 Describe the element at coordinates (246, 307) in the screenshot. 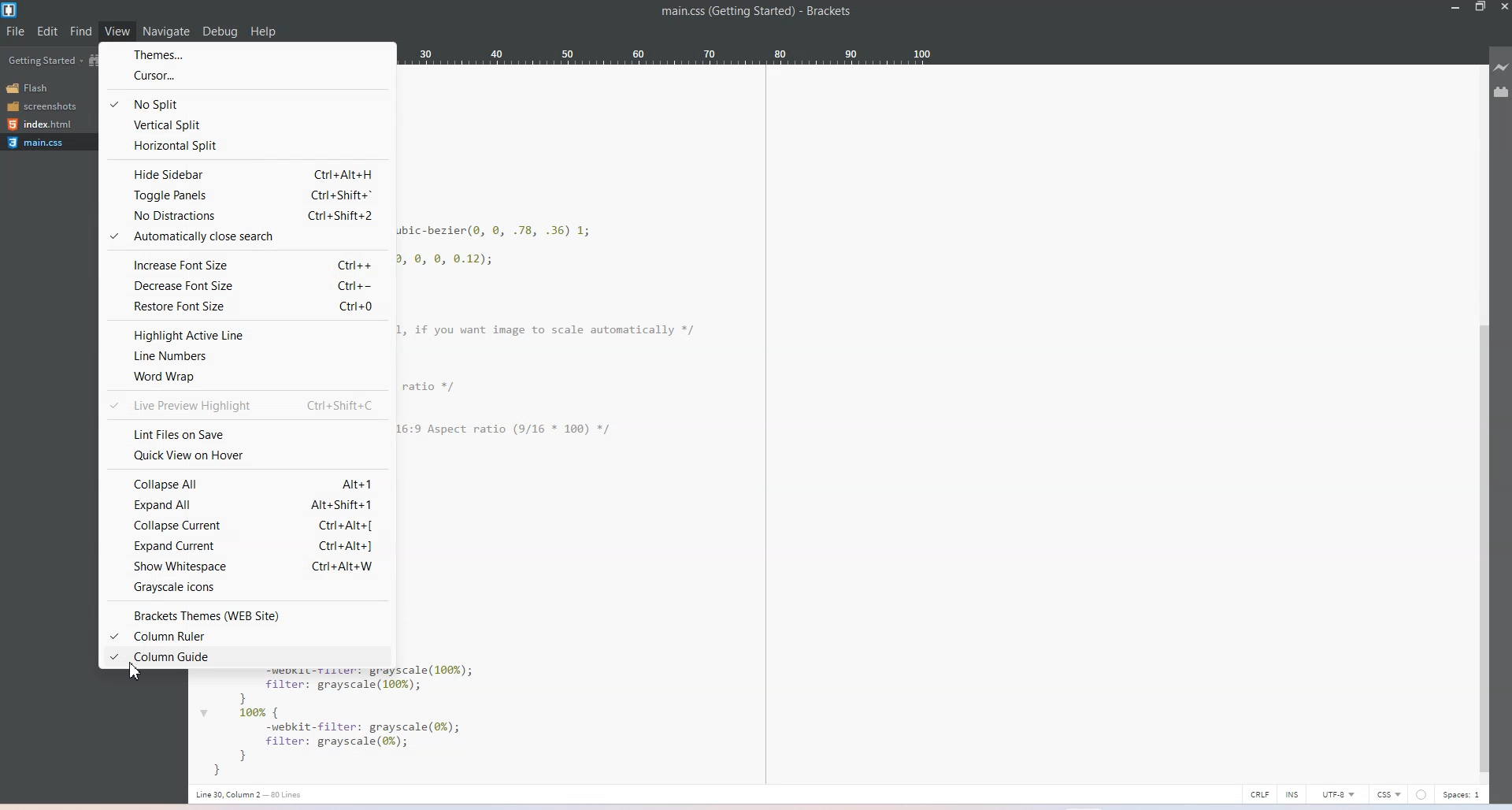

I see `Restore font size` at that location.